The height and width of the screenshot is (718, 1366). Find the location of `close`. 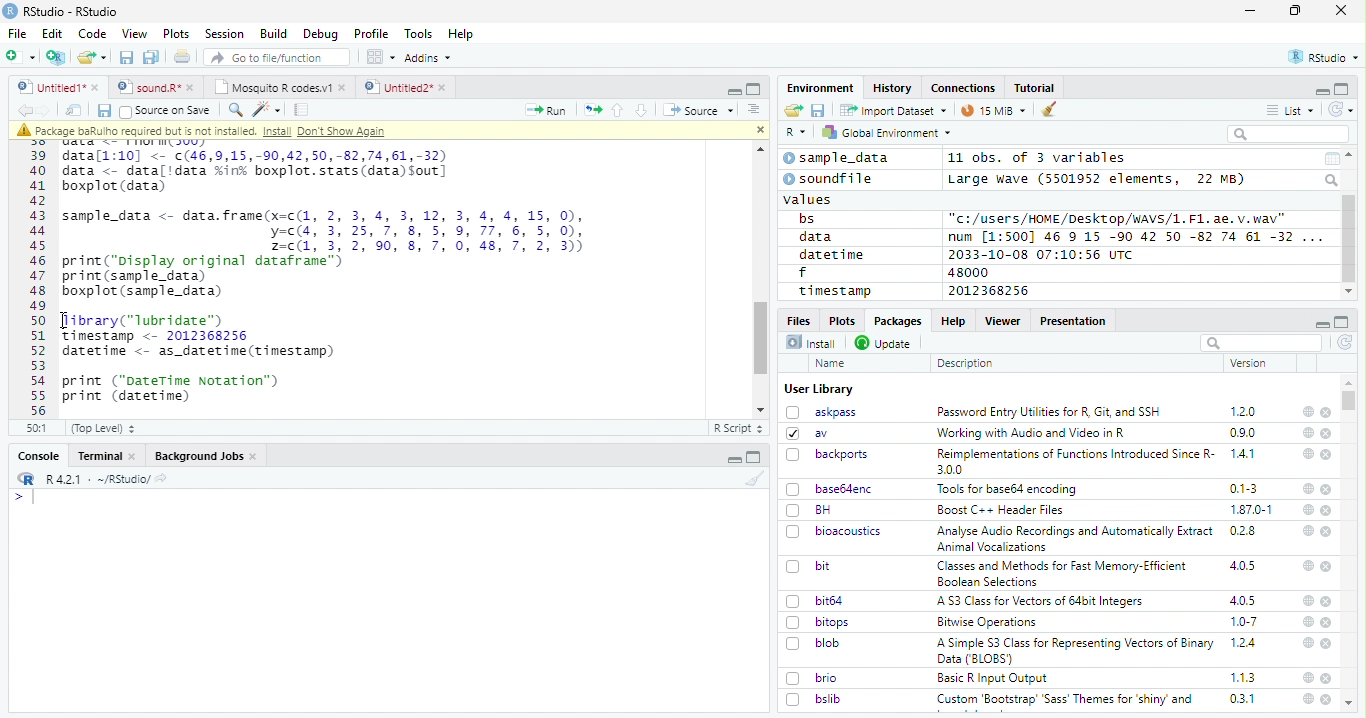

close is located at coordinates (1327, 623).